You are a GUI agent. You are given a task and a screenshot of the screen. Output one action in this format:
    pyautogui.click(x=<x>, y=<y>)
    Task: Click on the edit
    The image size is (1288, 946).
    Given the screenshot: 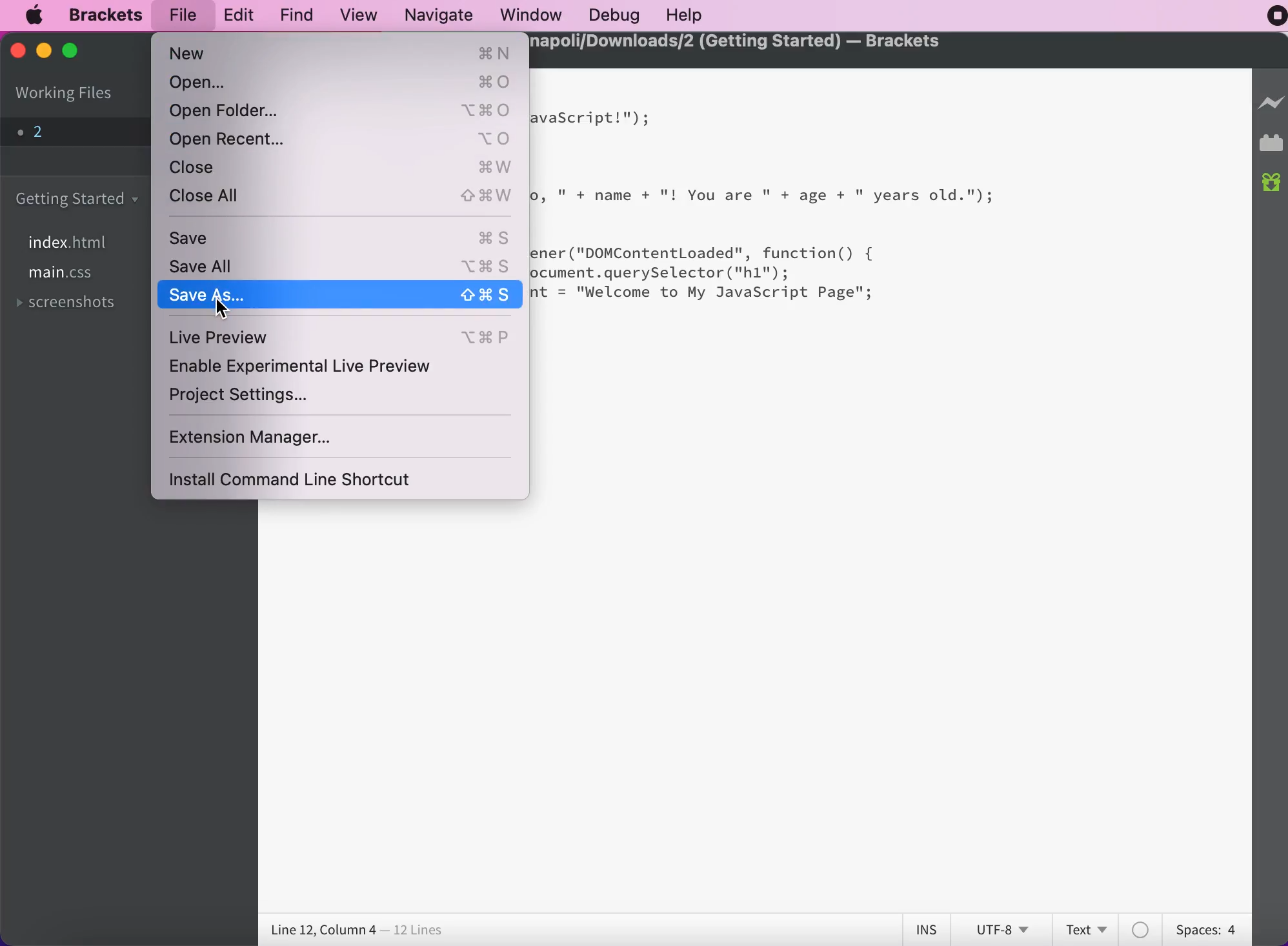 What is the action you would take?
    pyautogui.click(x=234, y=14)
    